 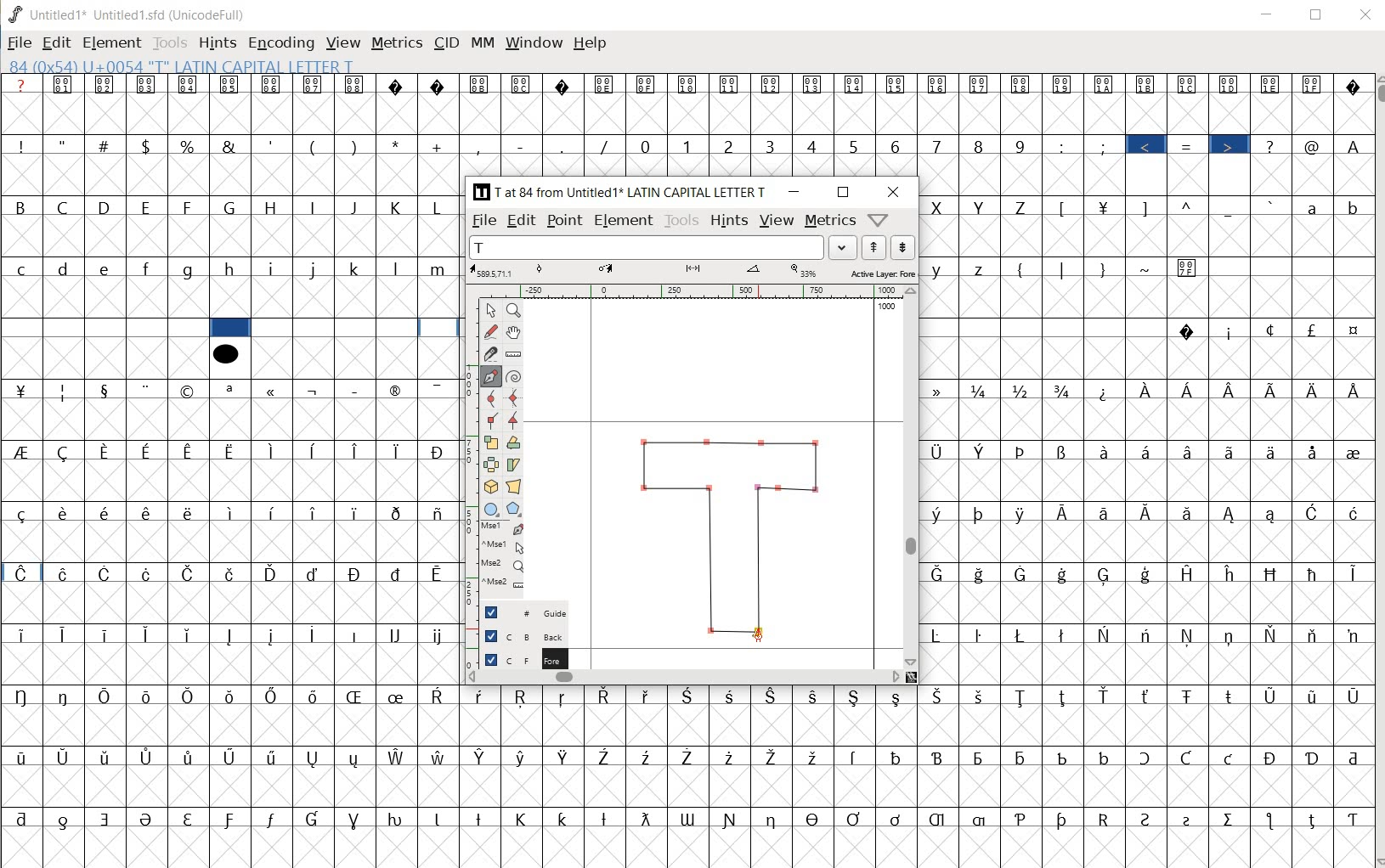 I want to click on Symbol, so click(x=1274, y=758).